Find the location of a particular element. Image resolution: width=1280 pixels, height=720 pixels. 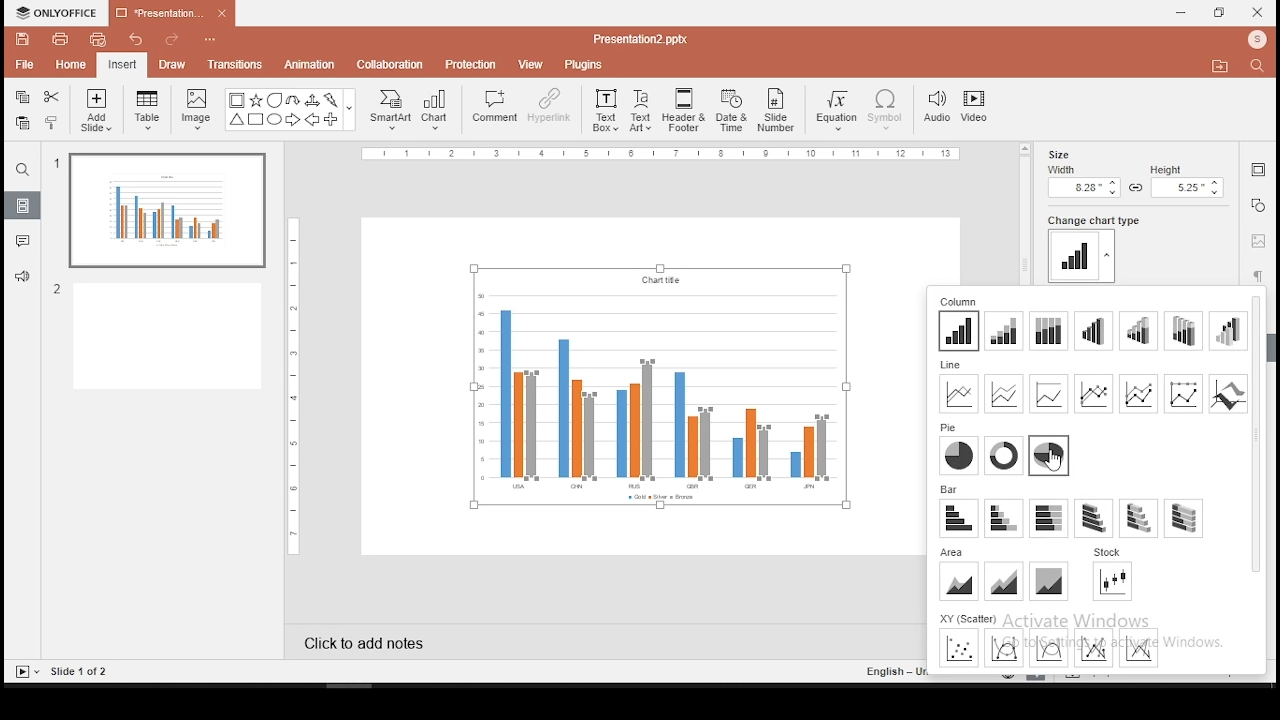

xy scatter 2 is located at coordinates (1004, 648).